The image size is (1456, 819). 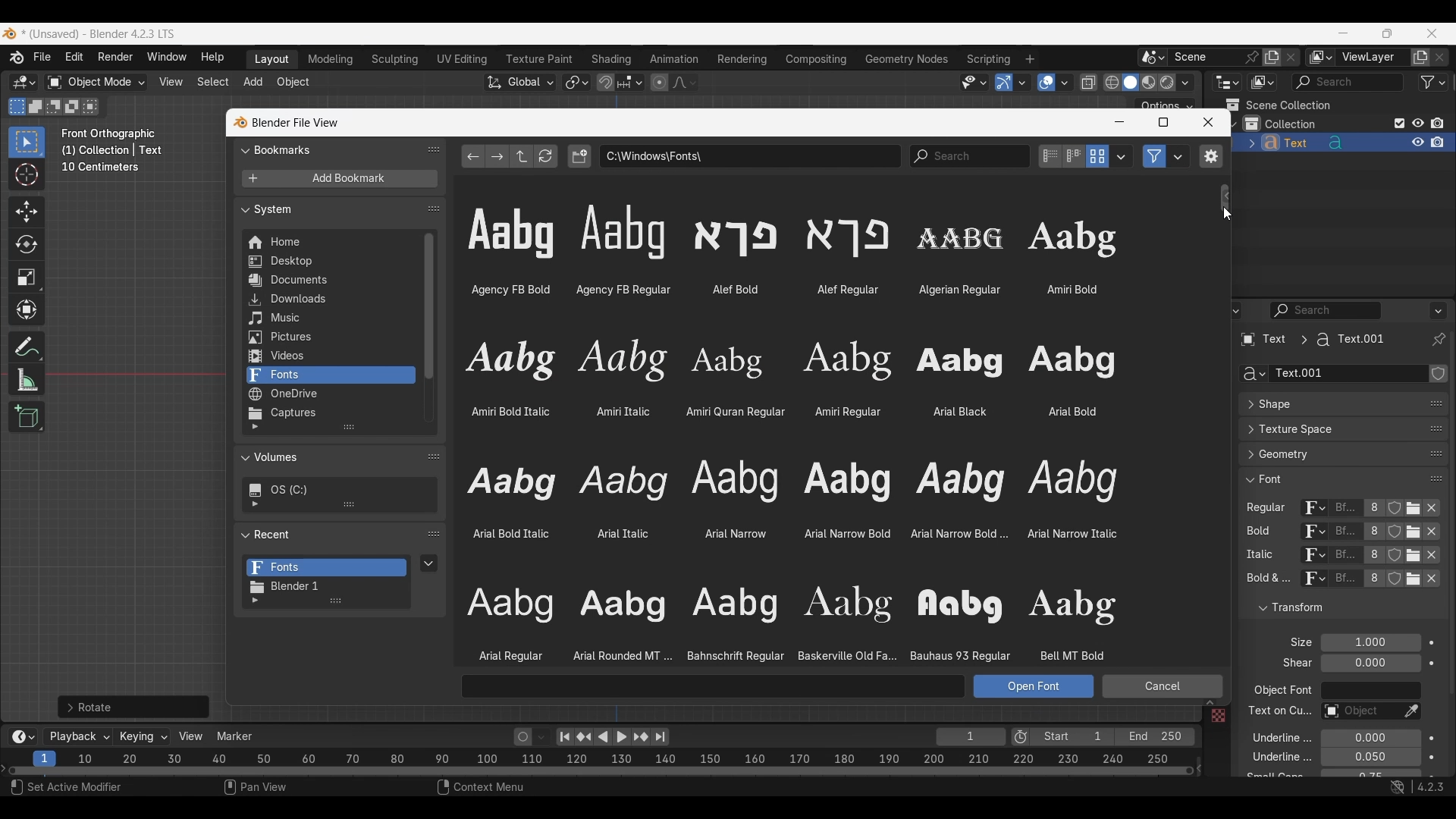 What do you see at coordinates (750, 155) in the screenshot?
I see `File path` at bounding box center [750, 155].